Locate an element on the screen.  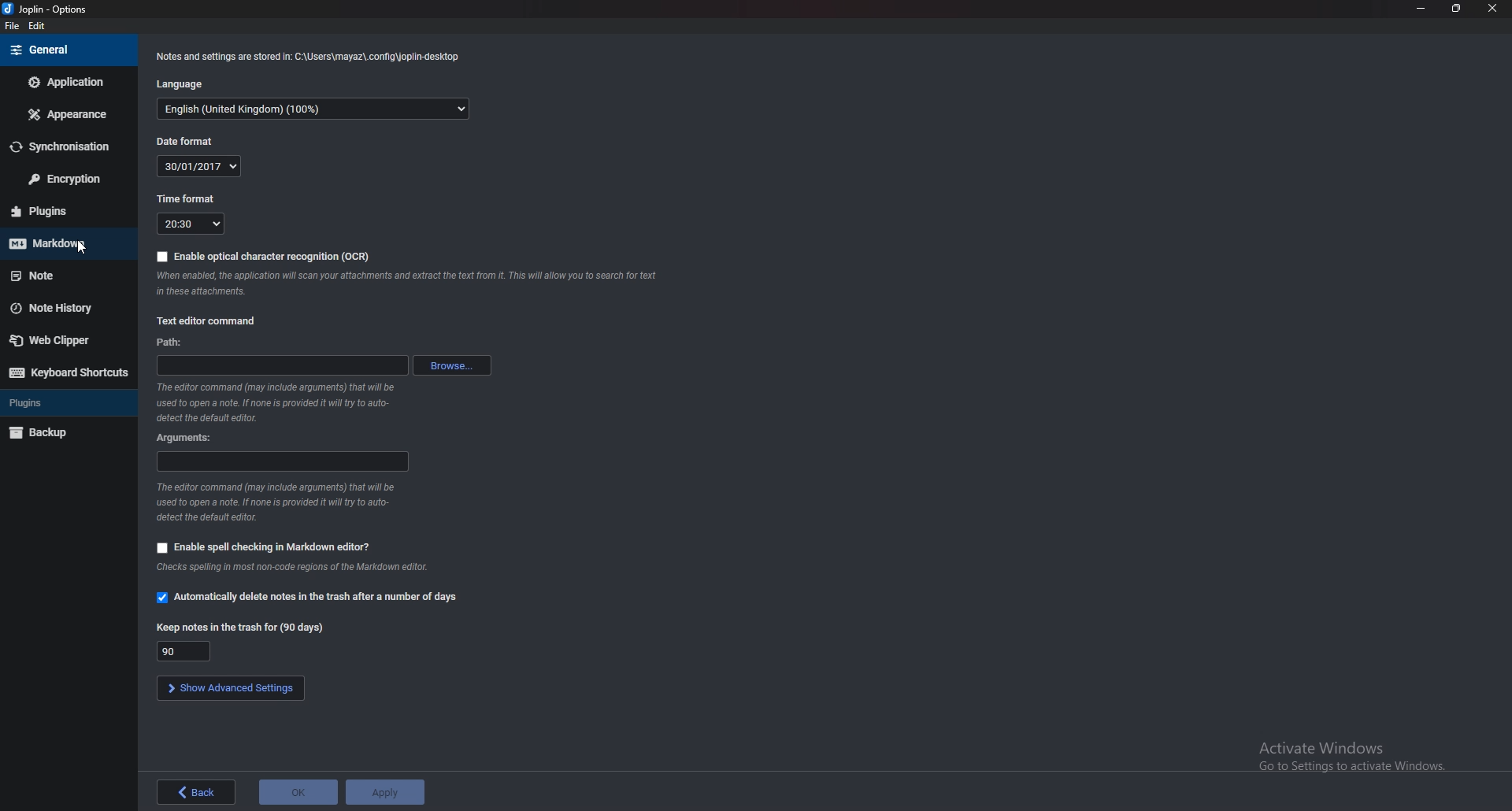
apply is located at coordinates (384, 792).